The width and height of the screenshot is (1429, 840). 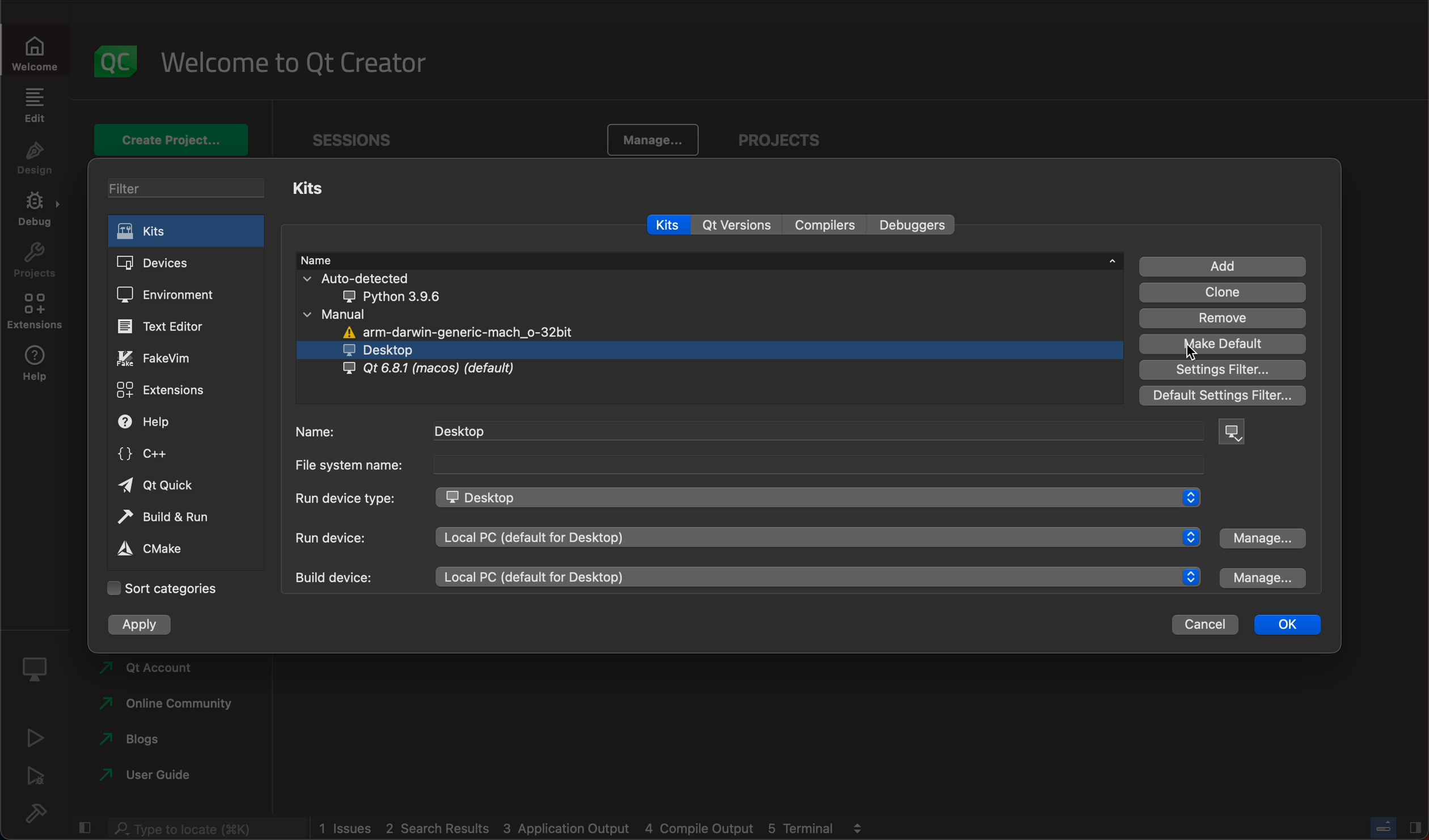 What do you see at coordinates (36, 313) in the screenshot?
I see `extensions` at bounding box center [36, 313].